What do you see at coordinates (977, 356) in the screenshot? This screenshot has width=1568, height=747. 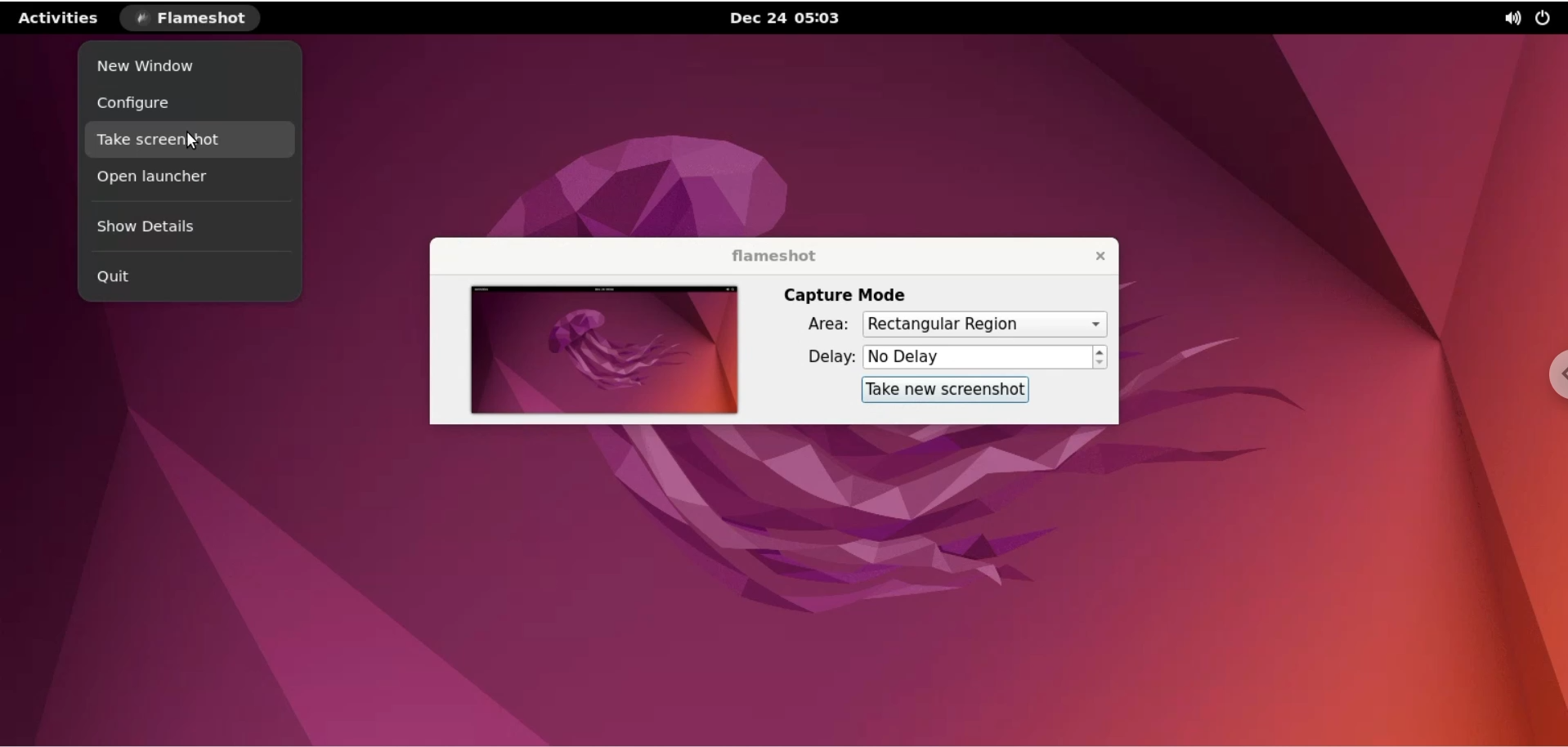 I see `delay time` at bounding box center [977, 356].